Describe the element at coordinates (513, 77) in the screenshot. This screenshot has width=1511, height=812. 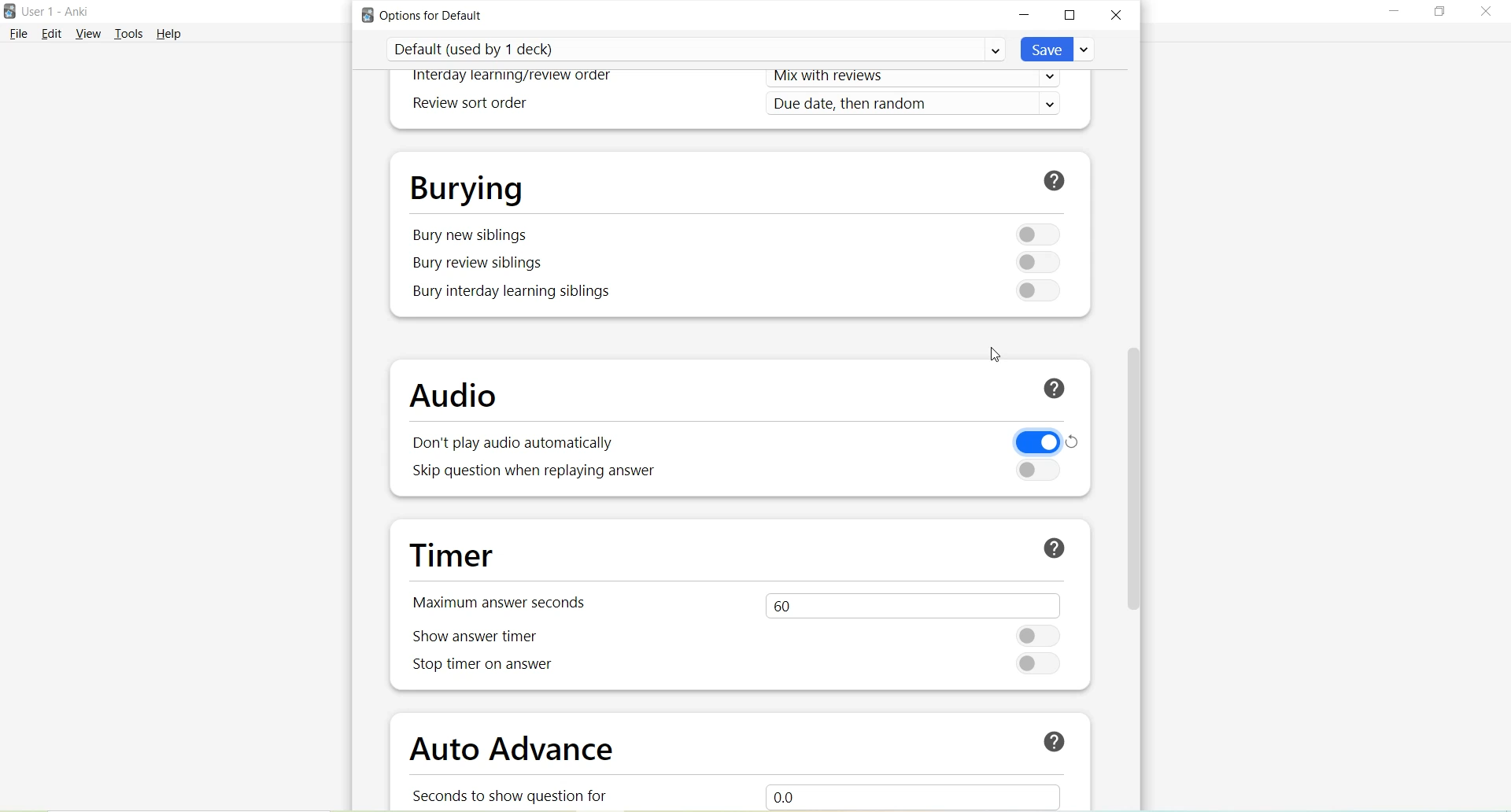
I see `Interday learning/review order` at that location.